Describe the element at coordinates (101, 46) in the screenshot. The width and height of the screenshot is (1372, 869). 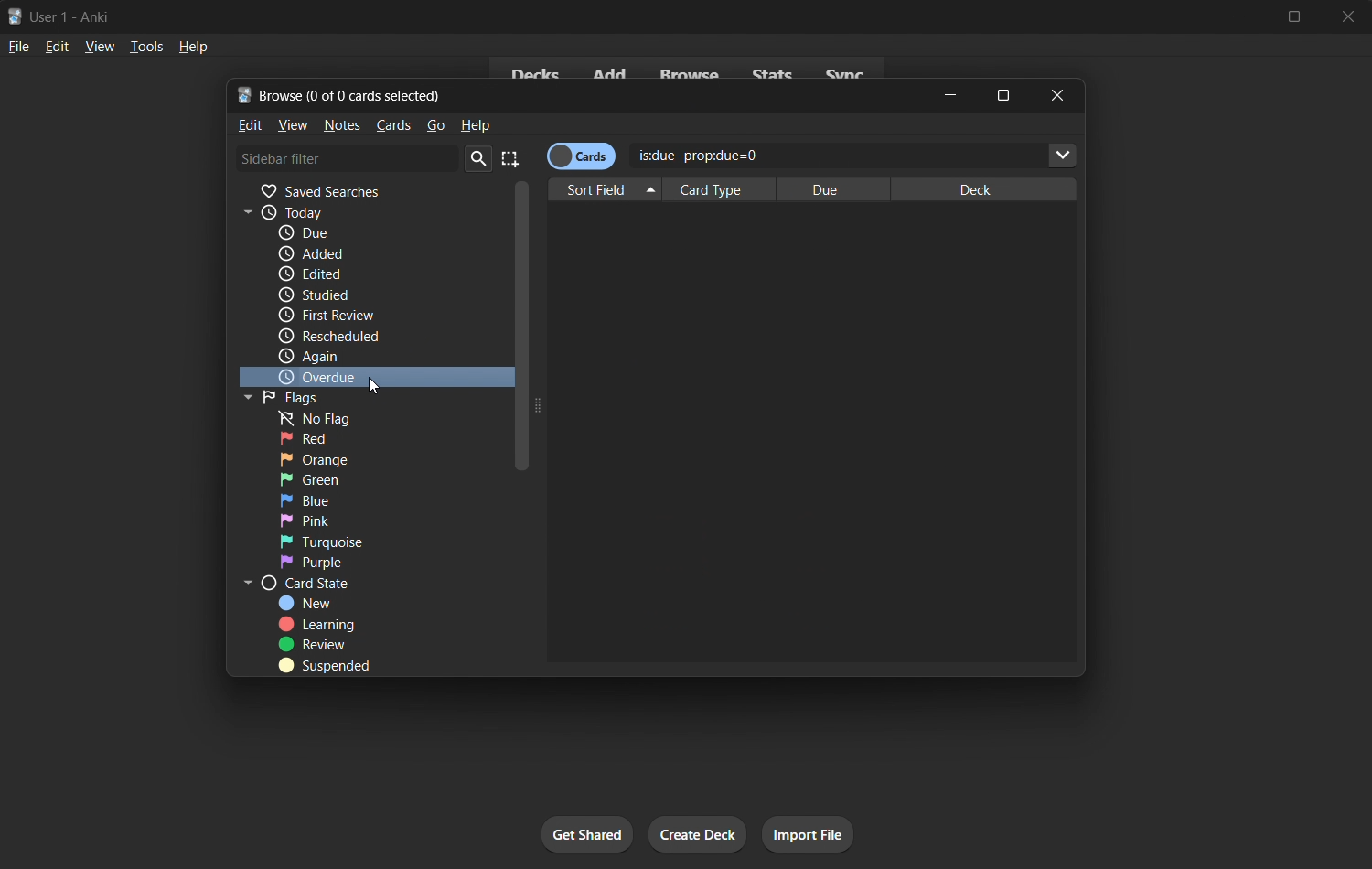
I see `view` at that location.